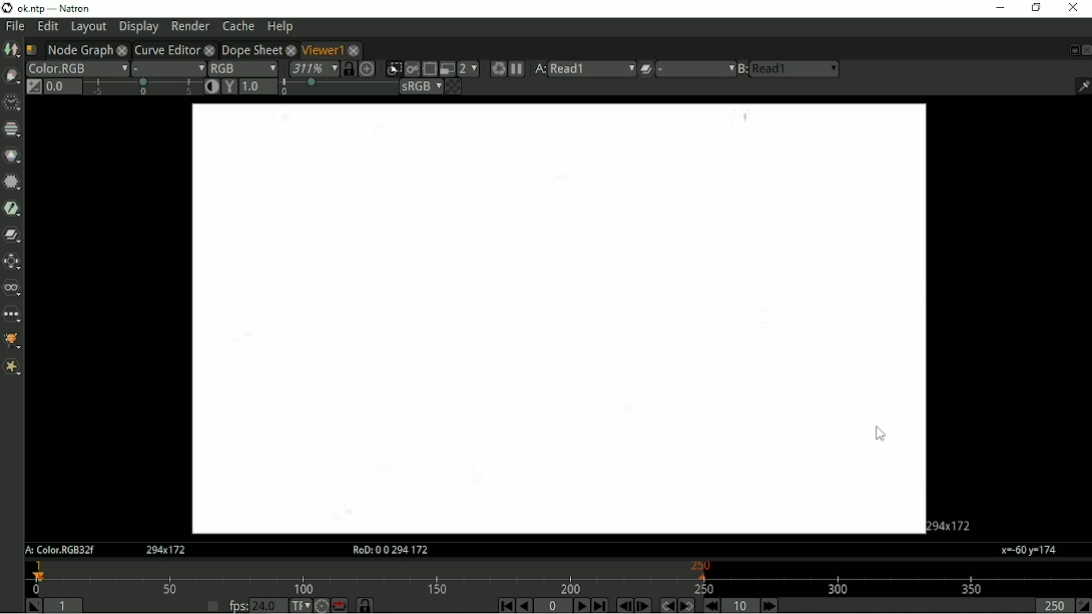 The width and height of the screenshot is (1092, 614). I want to click on Float pane, so click(1070, 50).